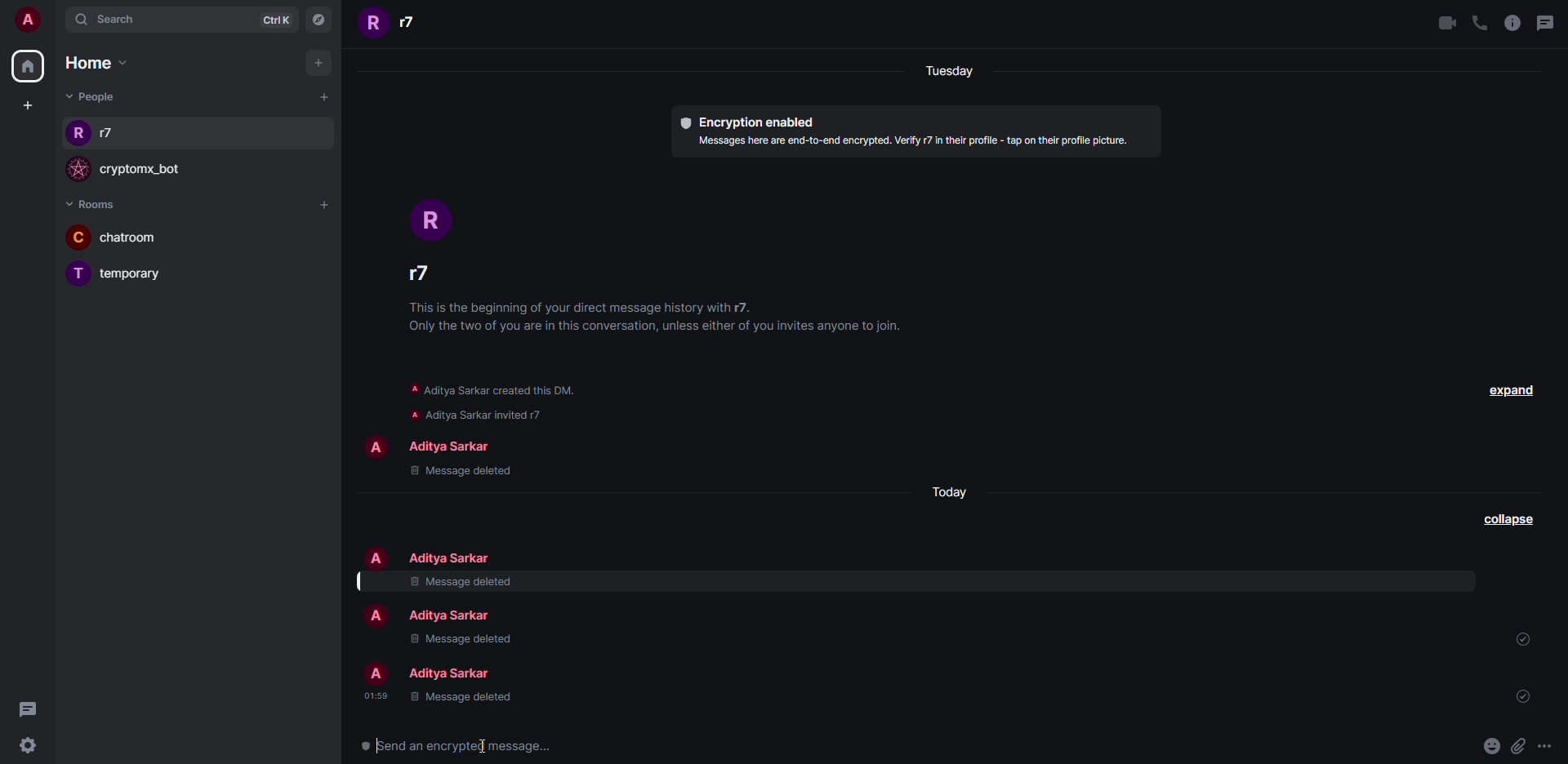 The image size is (1568, 764). Describe the element at coordinates (96, 61) in the screenshot. I see `home` at that location.